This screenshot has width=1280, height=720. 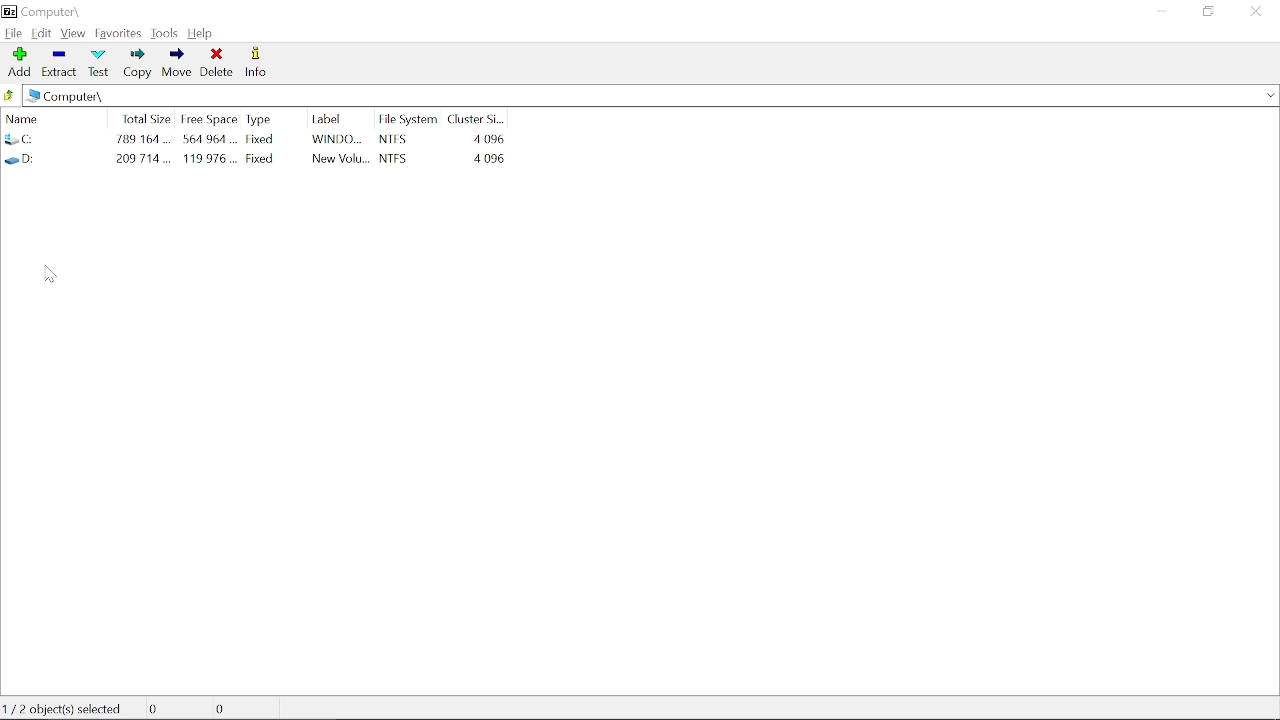 What do you see at coordinates (341, 151) in the screenshot?
I see `WINDO... New Volu...` at bounding box center [341, 151].